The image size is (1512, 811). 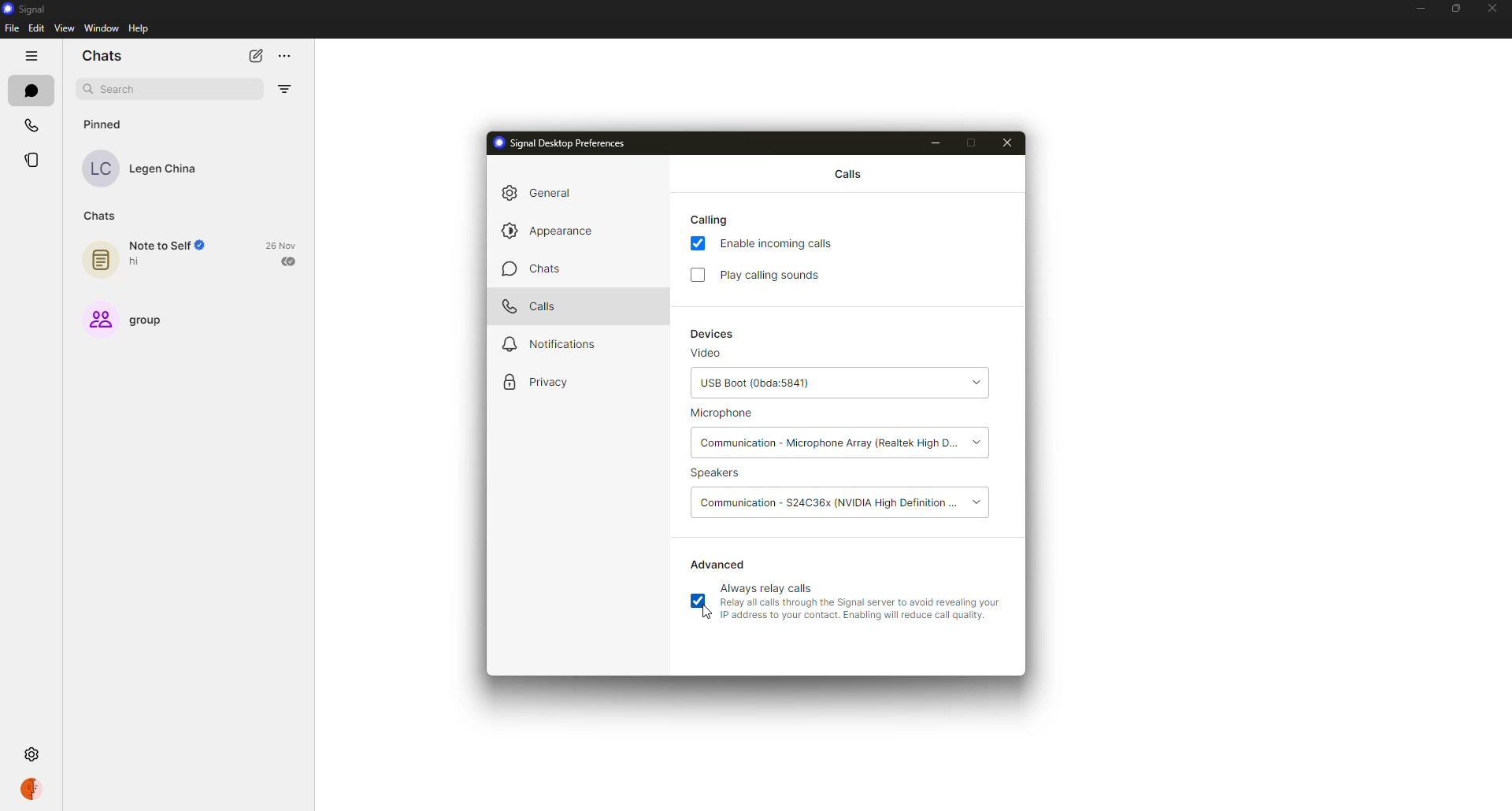 What do you see at coordinates (863, 612) in the screenshot?
I see `Deley of all calls through the Signal server to avoid revealing your IP adress to your contact. Enabling it will reduce call quality.` at bounding box center [863, 612].